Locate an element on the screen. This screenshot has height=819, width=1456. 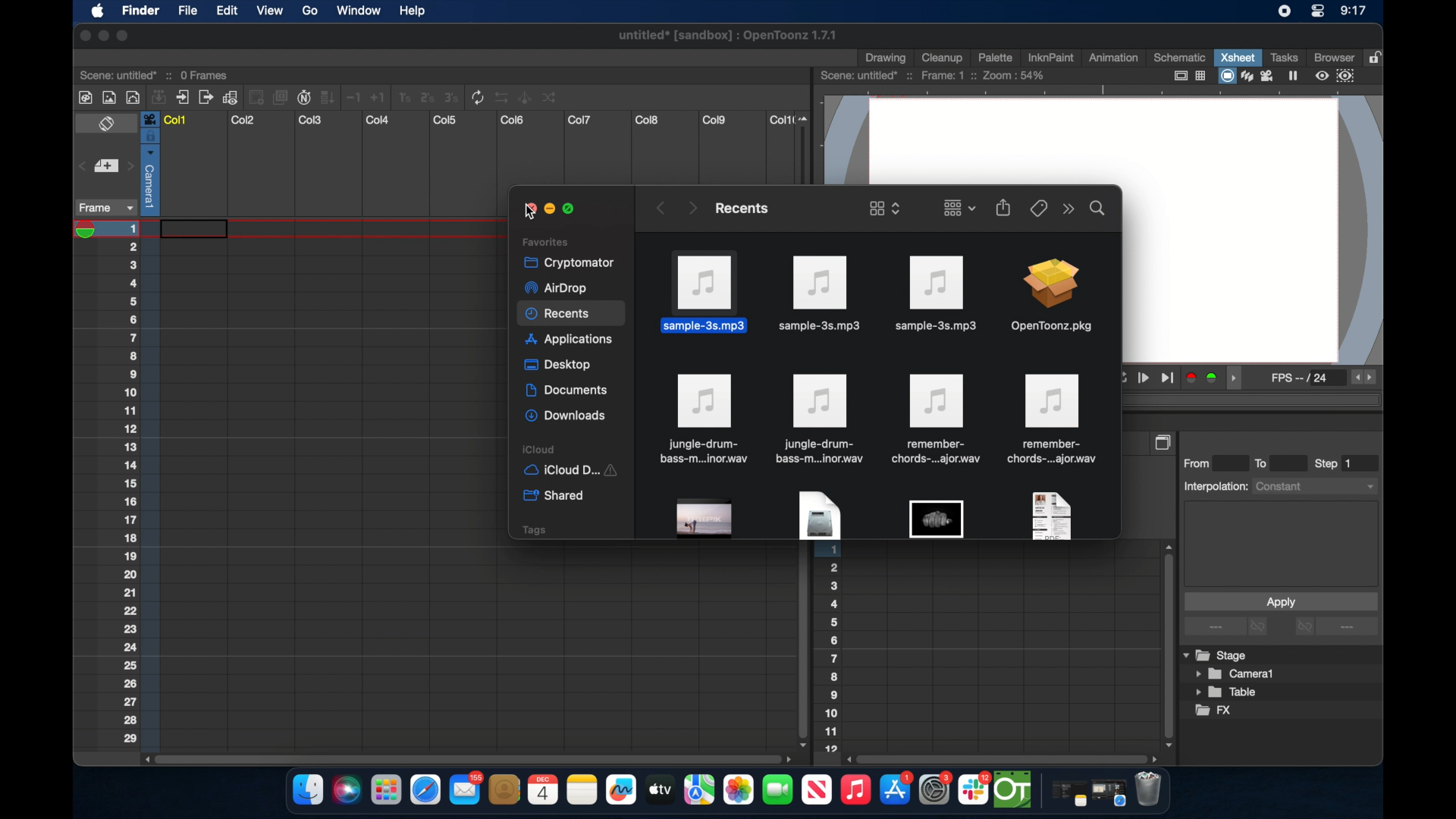
mail is located at coordinates (466, 788).